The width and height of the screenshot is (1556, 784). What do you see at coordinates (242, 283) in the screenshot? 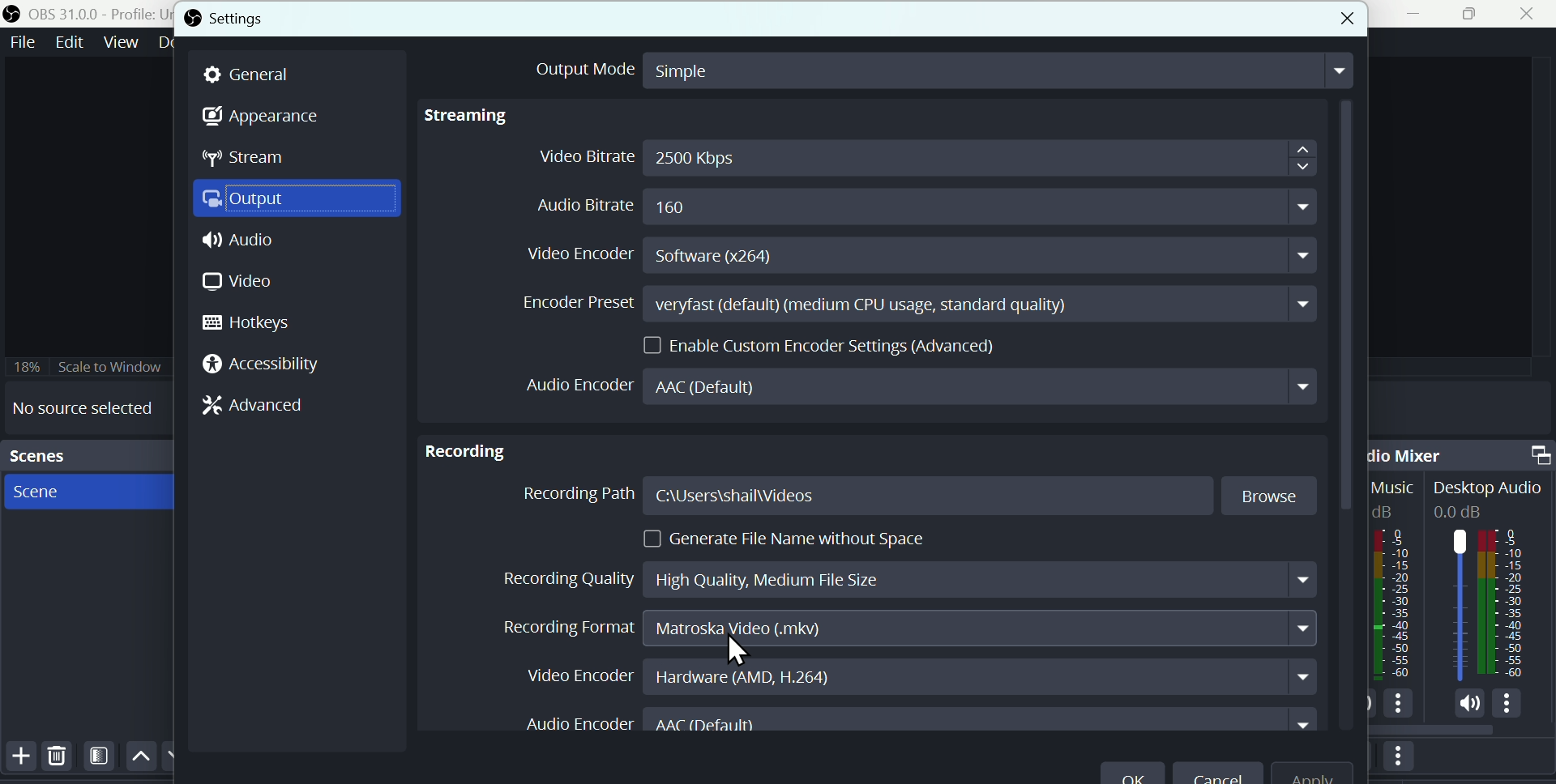
I see `Video` at bounding box center [242, 283].